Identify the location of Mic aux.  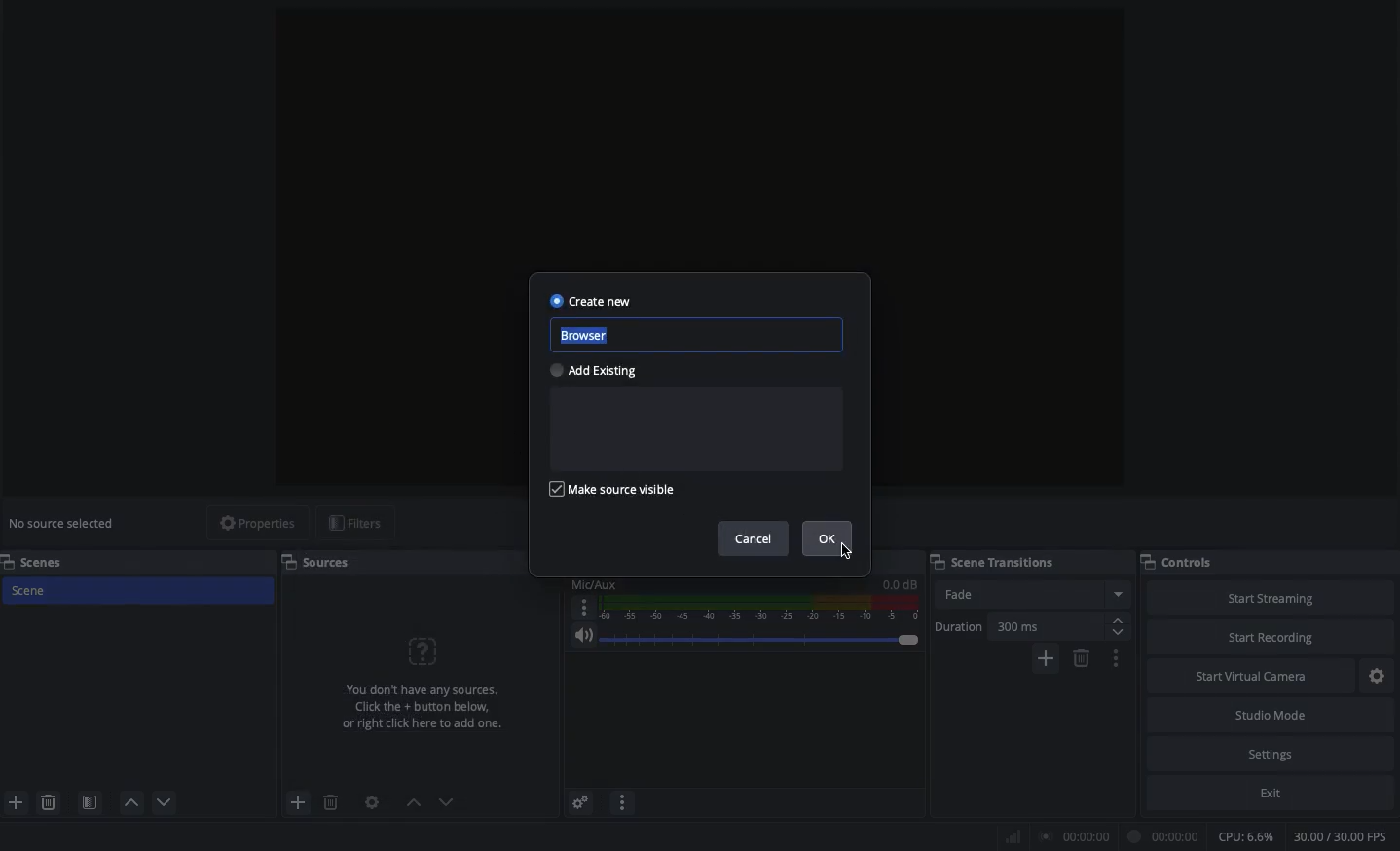
(741, 600).